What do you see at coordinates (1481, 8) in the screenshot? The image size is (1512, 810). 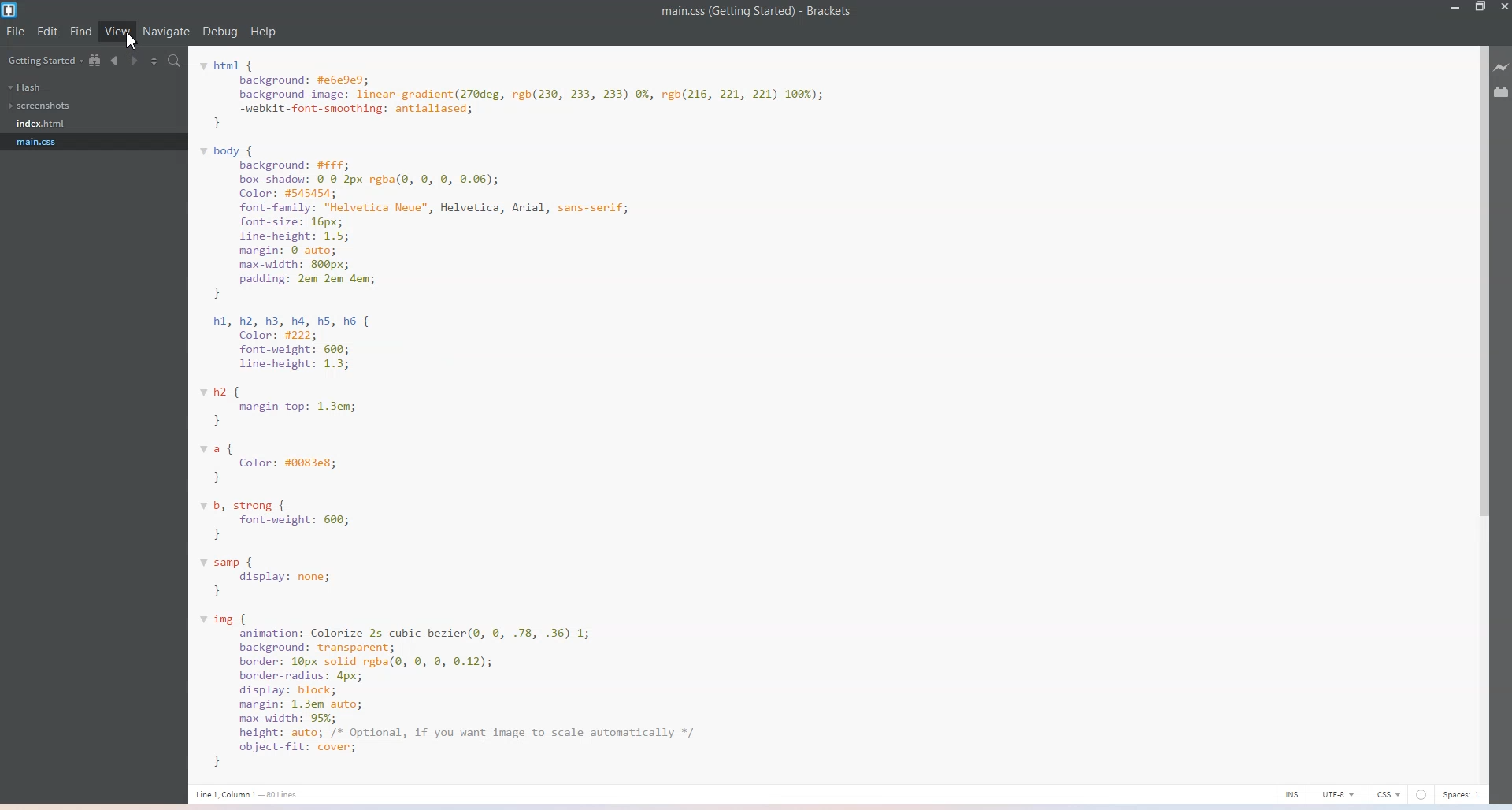 I see `Maximize` at bounding box center [1481, 8].